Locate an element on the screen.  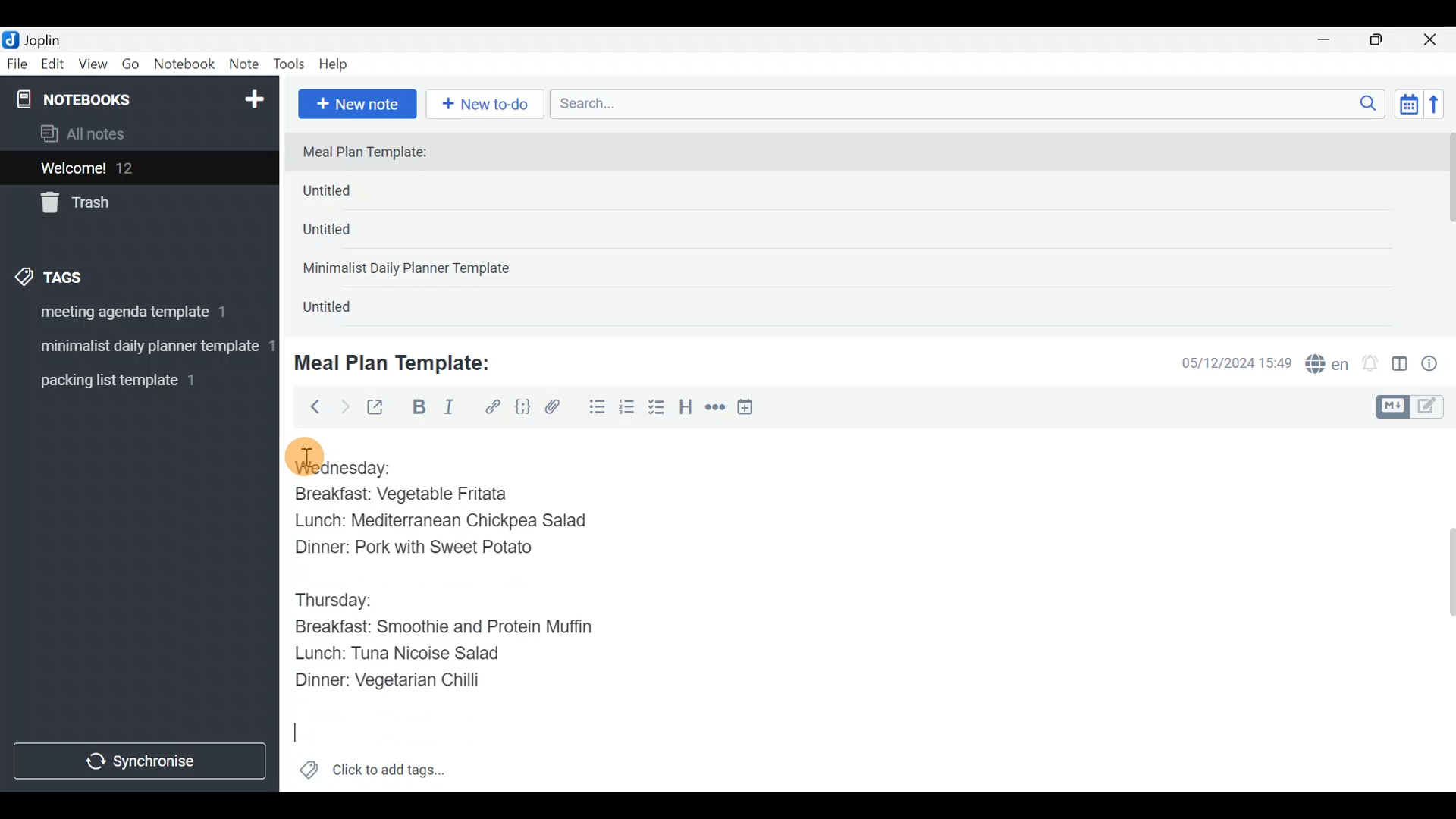
Tag 1 is located at coordinates (135, 316).